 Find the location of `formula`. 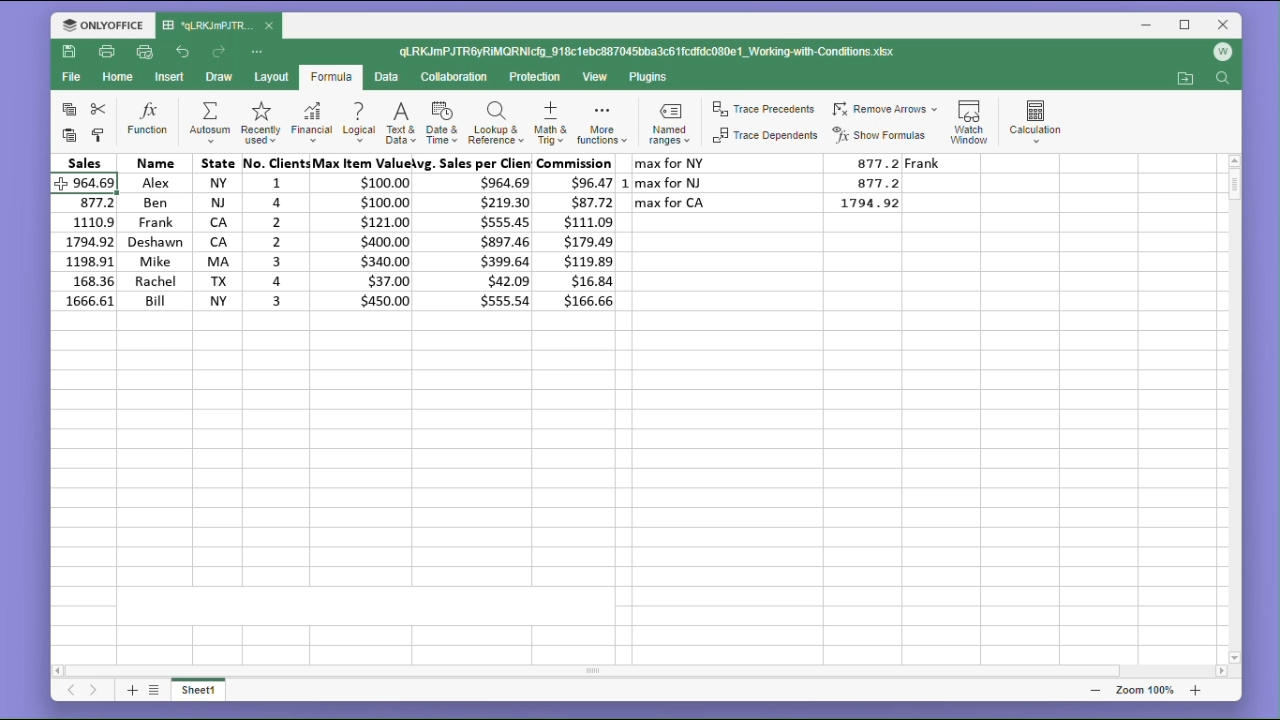

formula is located at coordinates (330, 78).